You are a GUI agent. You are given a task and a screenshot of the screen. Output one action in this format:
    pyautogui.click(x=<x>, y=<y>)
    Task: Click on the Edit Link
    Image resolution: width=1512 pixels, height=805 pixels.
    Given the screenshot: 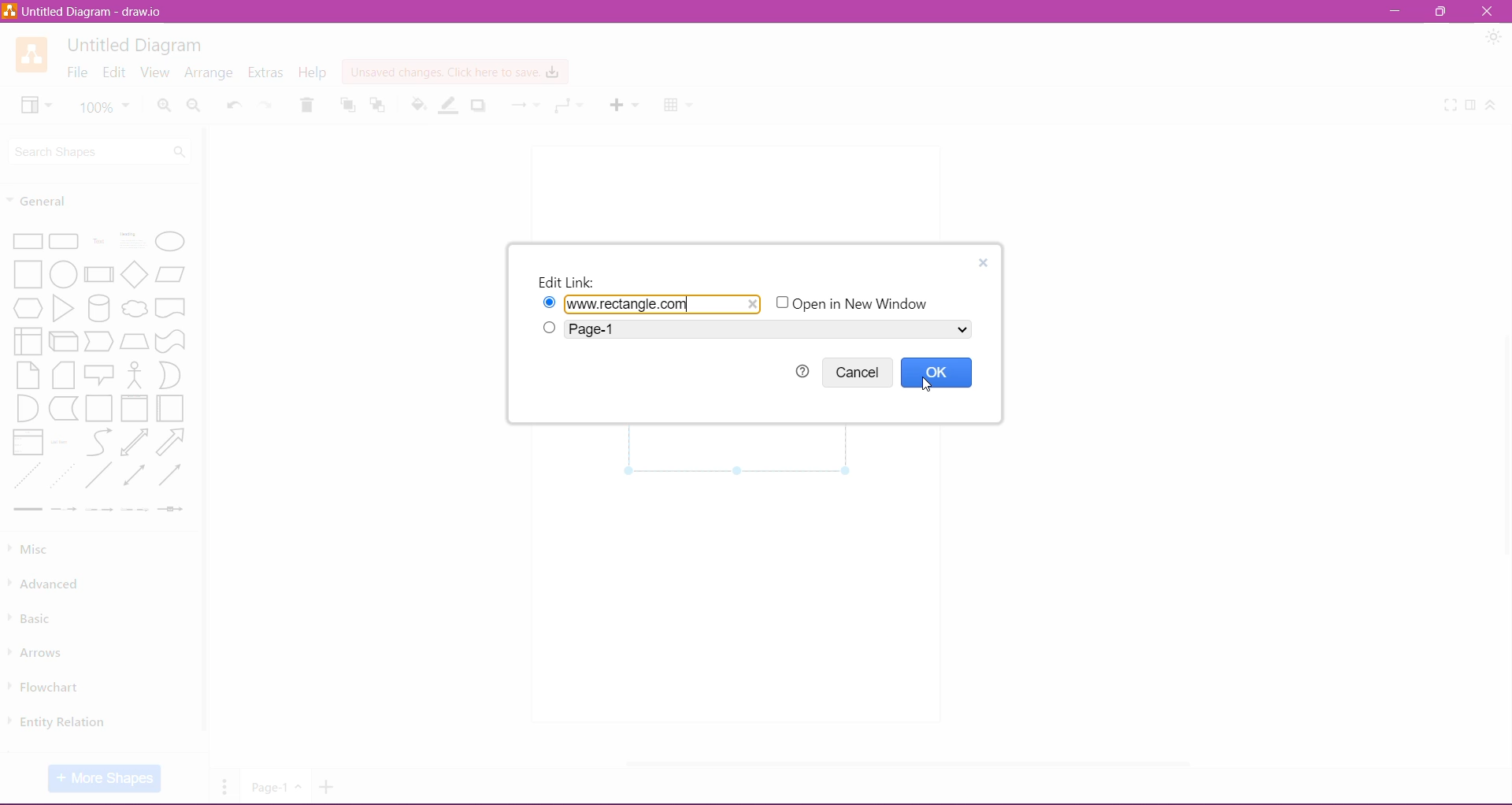 What is the action you would take?
    pyautogui.click(x=984, y=263)
    